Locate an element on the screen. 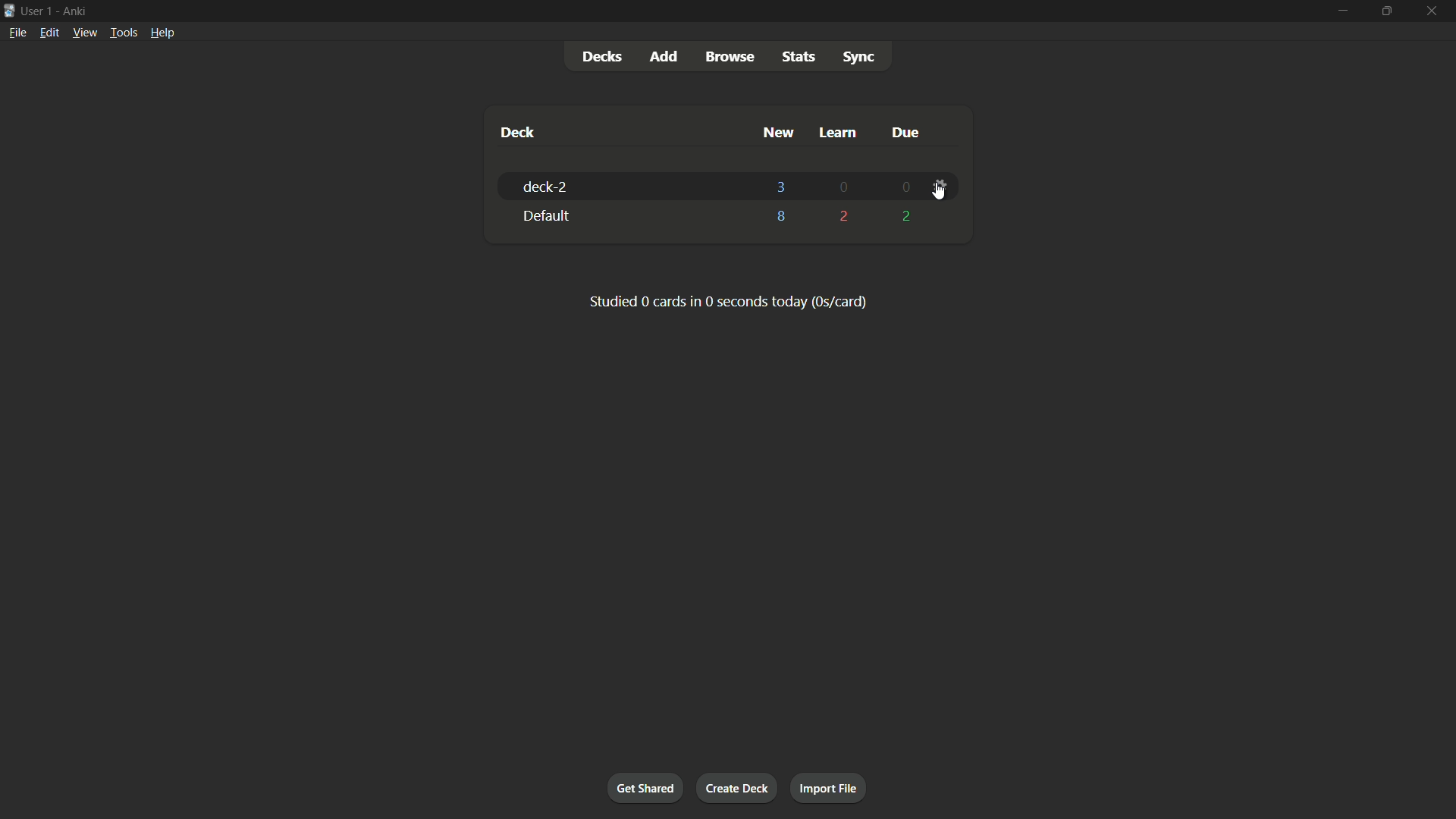 This screenshot has width=1456, height=819. deck is located at coordinates (518, 133).